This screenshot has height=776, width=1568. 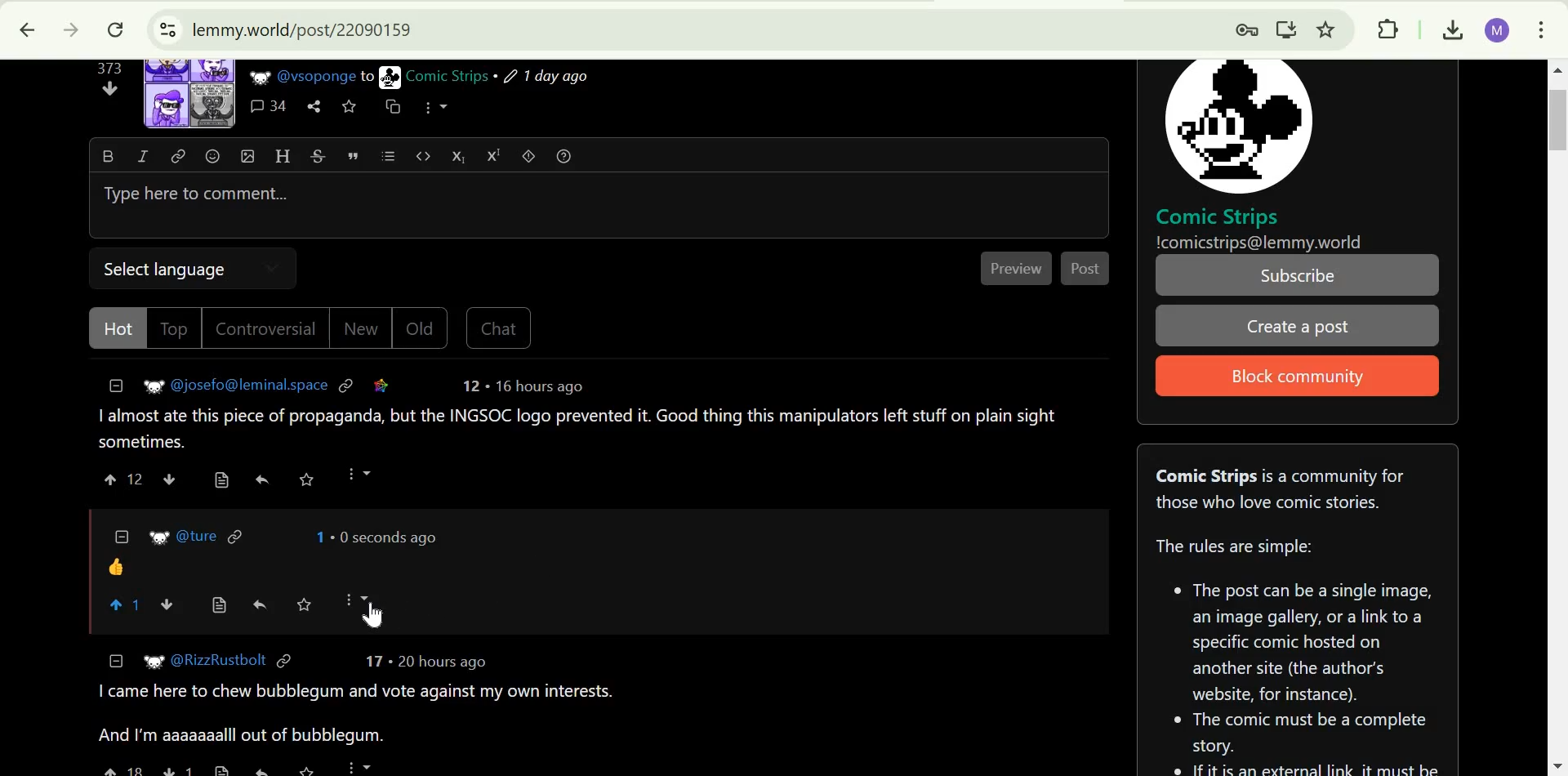 I want to click on link, so click(x=179, y=155).